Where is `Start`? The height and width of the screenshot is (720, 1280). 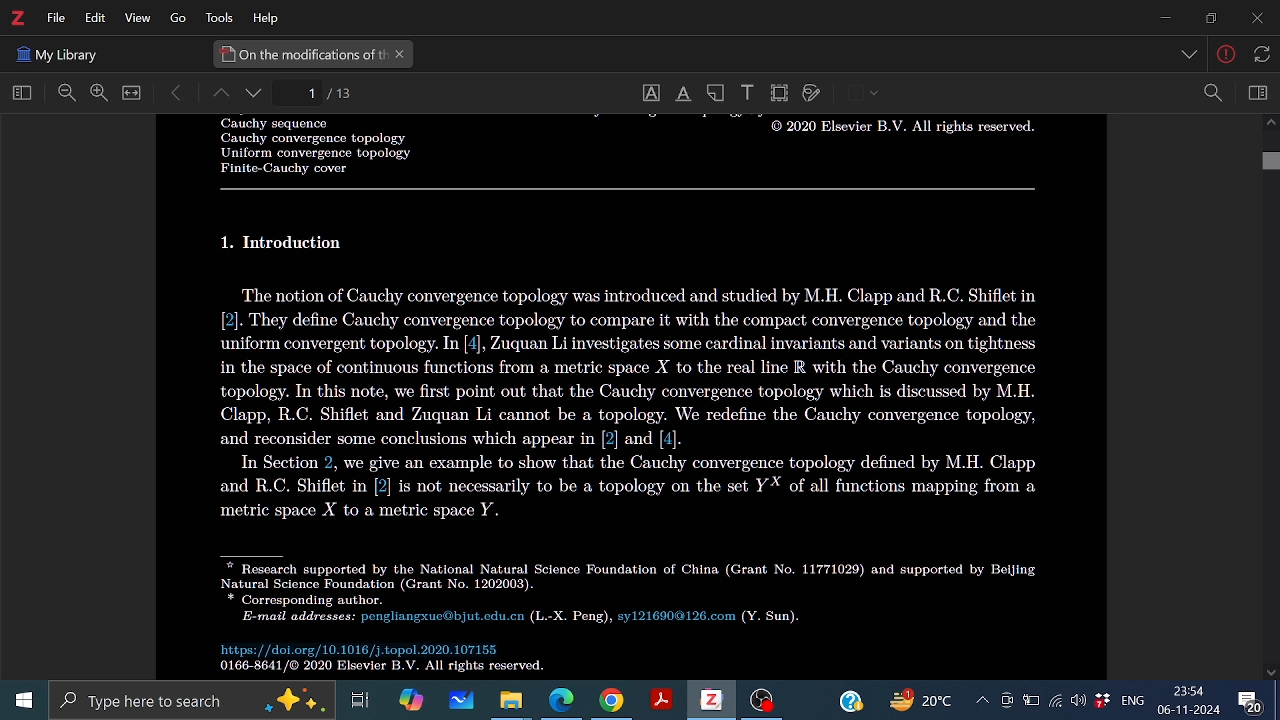
Start is located at coordinates (19, 701).